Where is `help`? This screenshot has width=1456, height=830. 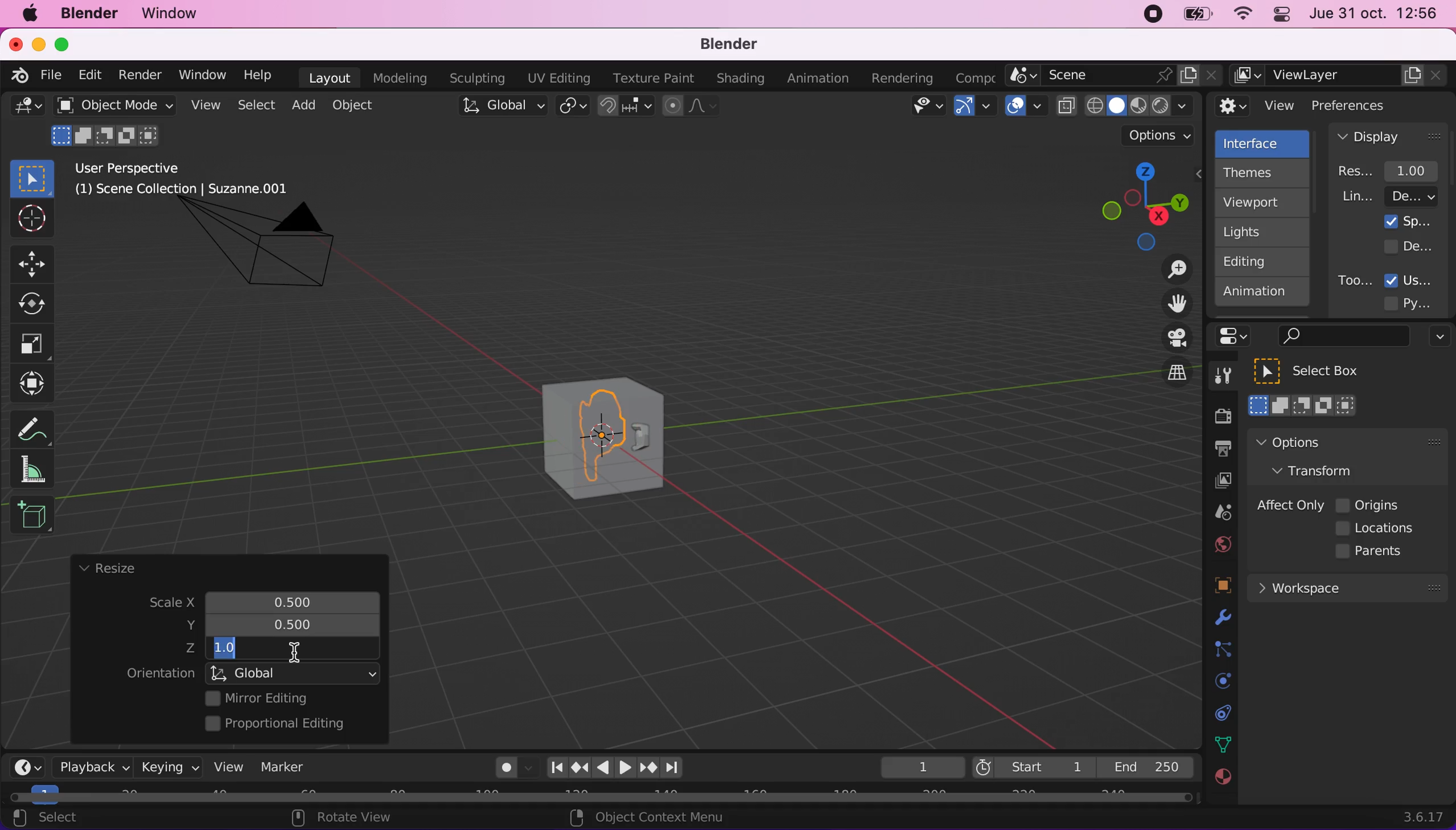
help is located at coordinates (259, 74).